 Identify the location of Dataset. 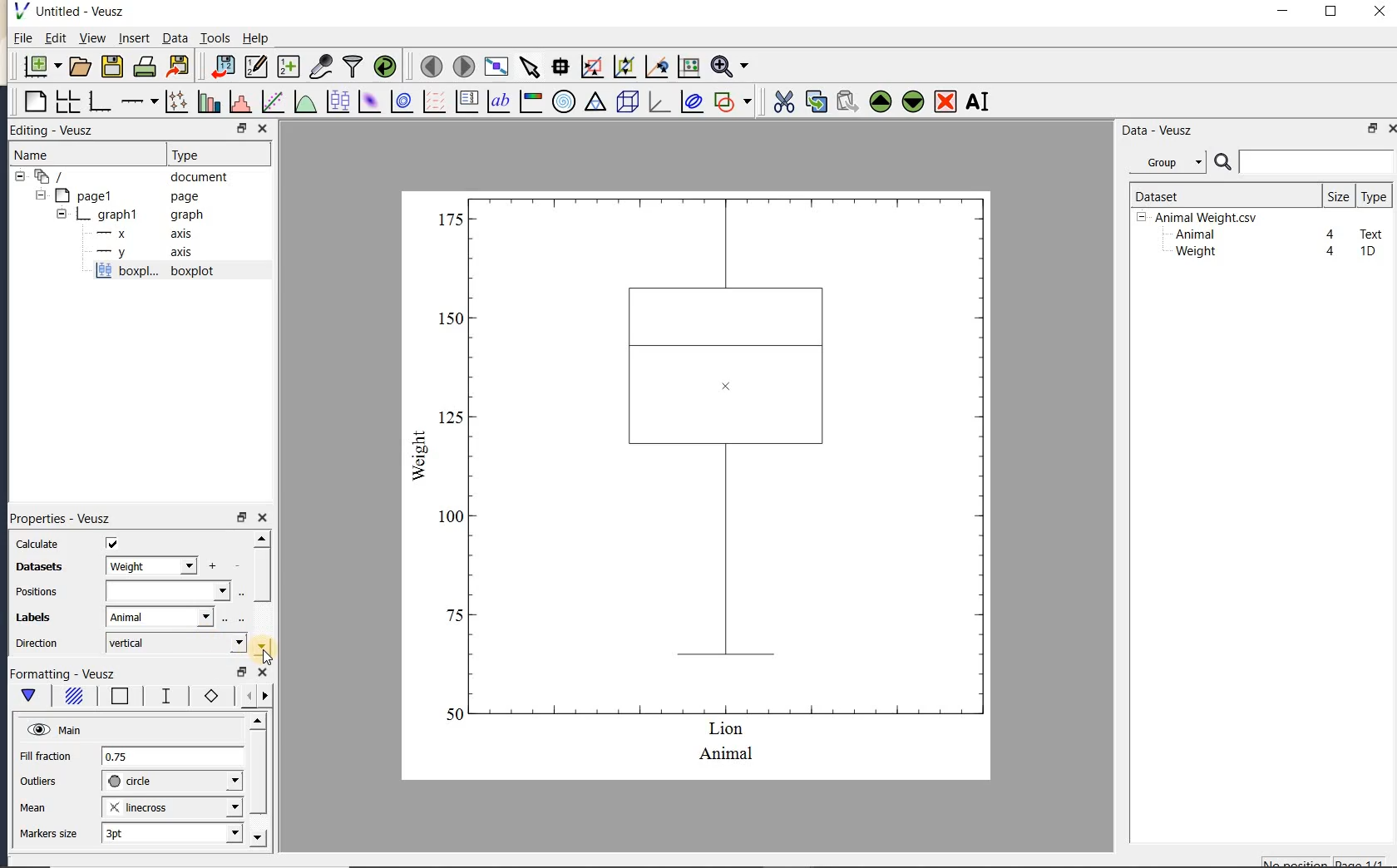
(1218, 195).